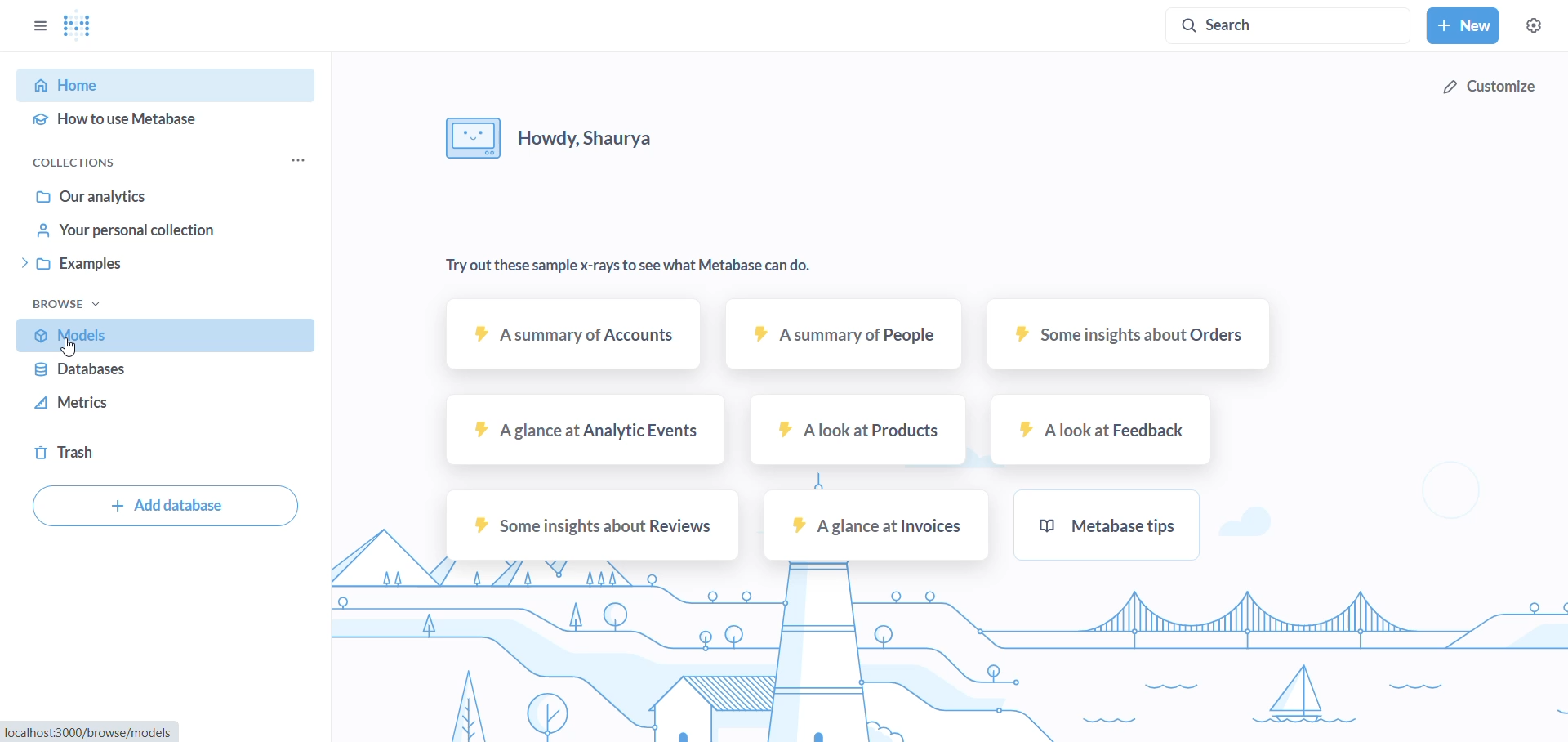 The width and height of the screenshot is (1568, 742). What do you see at coordinates (151, 234) in the screenshot?
I see `your personal collection` at bounding box center [151, 234].